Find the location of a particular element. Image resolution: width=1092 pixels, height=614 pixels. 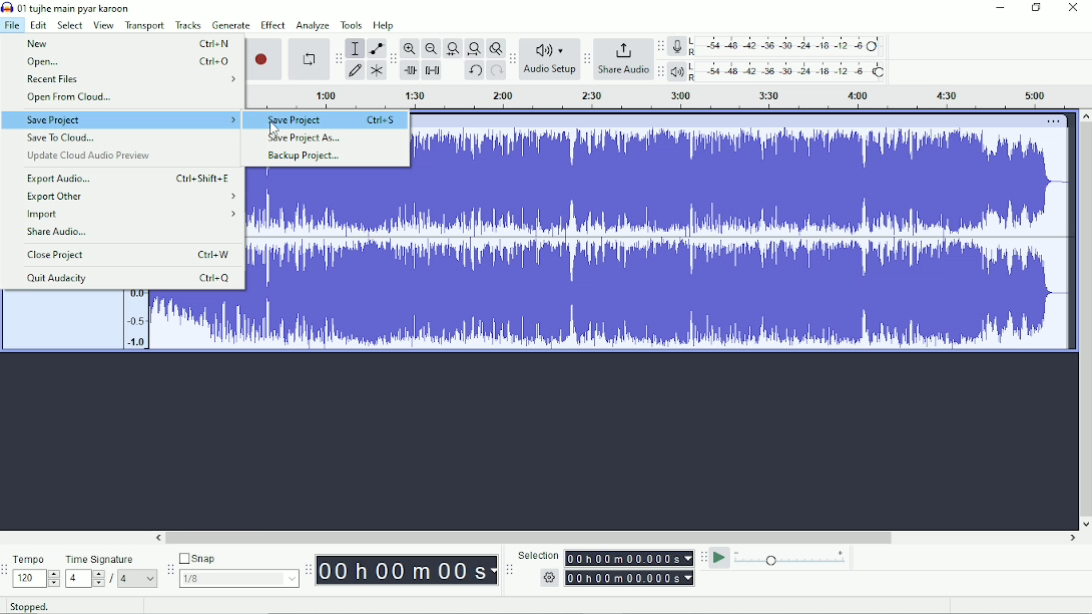

Play-at-speed is located at coordinates (720, 558).